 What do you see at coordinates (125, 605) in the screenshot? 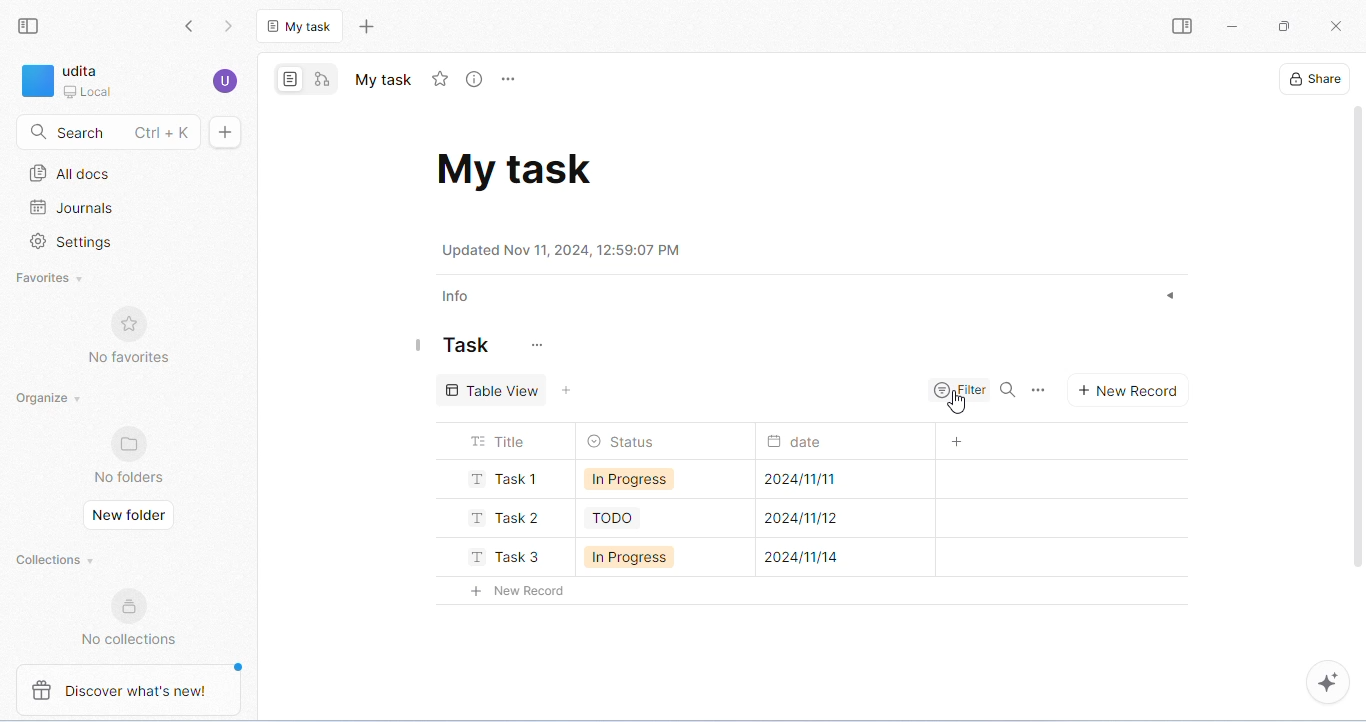
I see `collections logo` at bounding box center [125, 605].